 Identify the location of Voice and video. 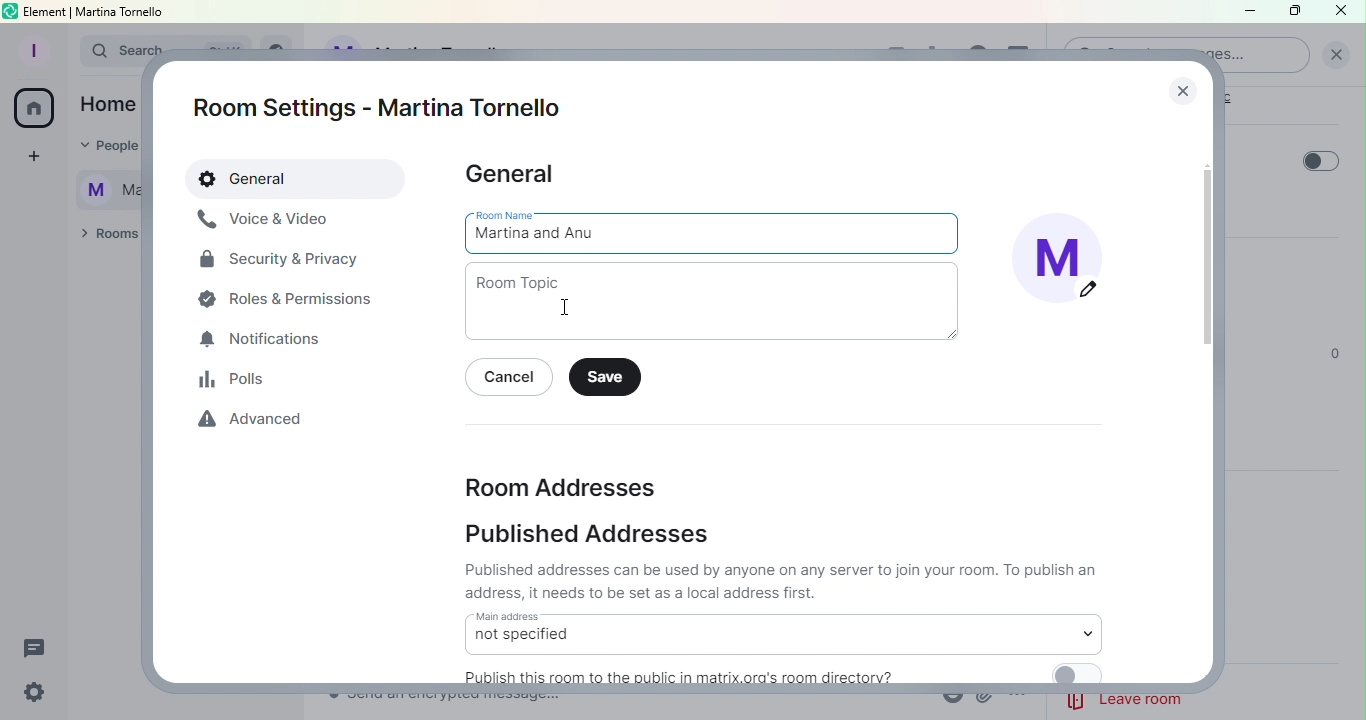
(265, 220).